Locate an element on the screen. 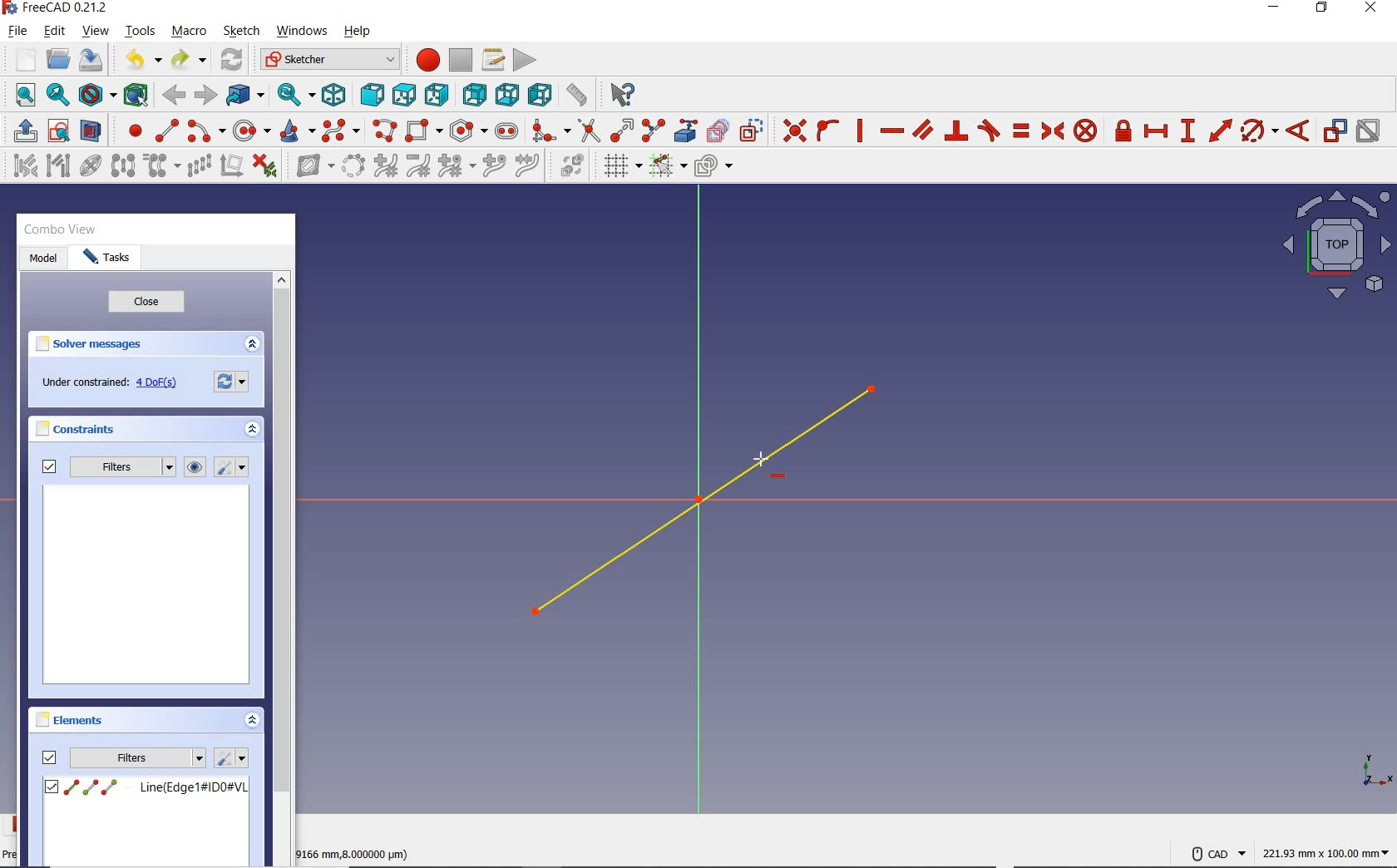  CONSTRAIN PERPENDICULAR is located at coordinates (955, 131).